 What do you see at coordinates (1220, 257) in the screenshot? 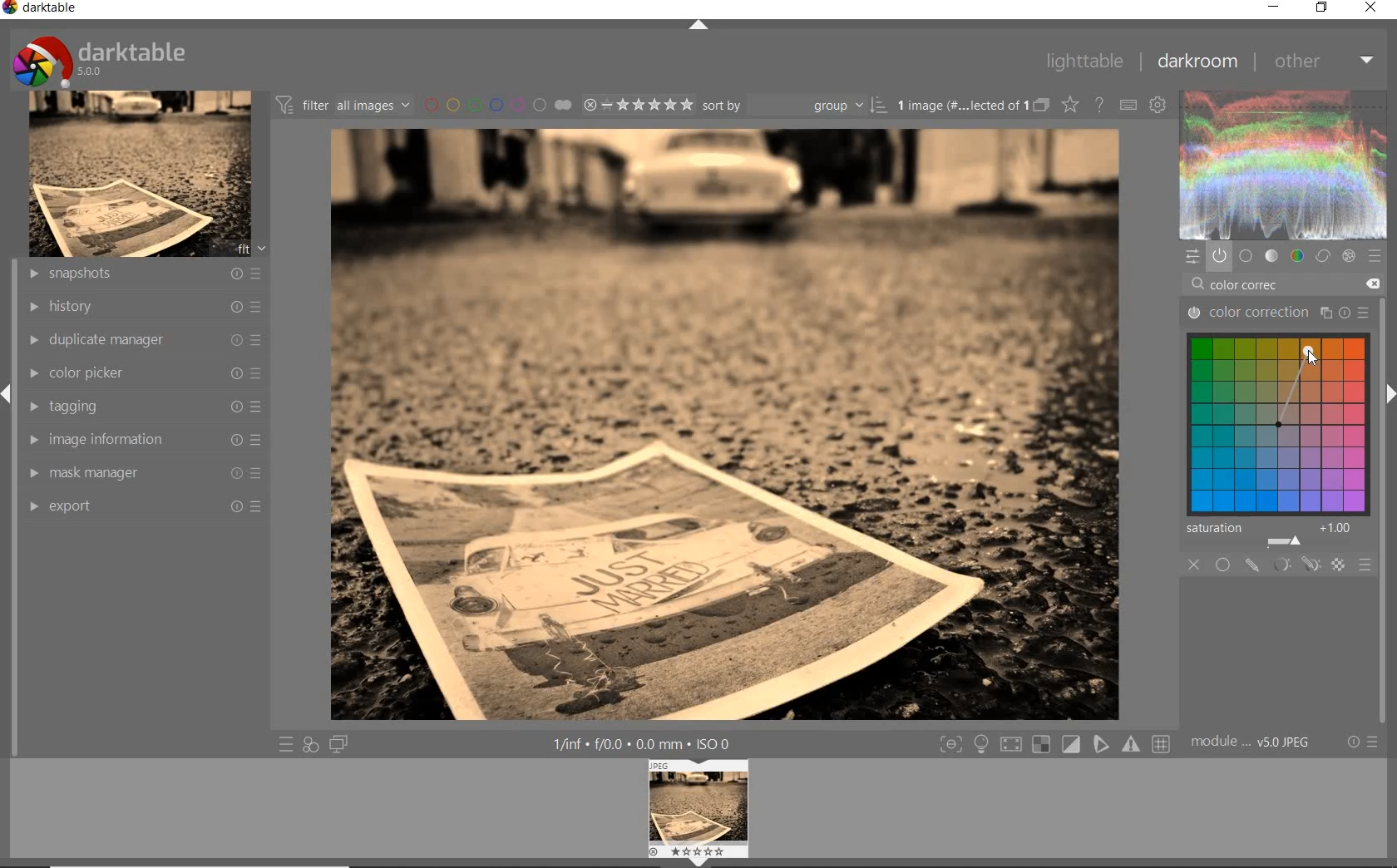
I see `show only active module` at bounding box center [1220, 257].